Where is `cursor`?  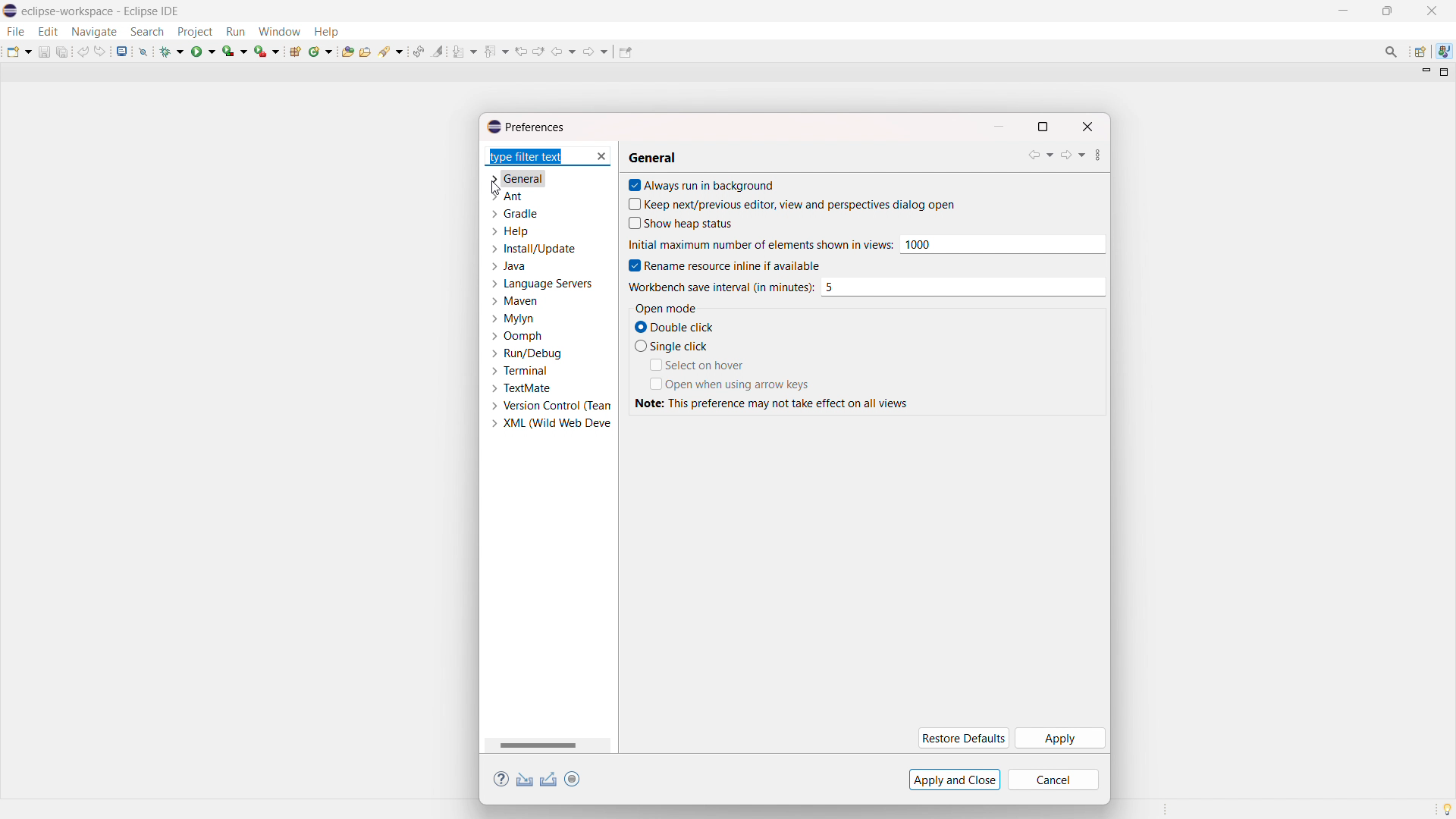 cursor is located at coordinates (498, 190).